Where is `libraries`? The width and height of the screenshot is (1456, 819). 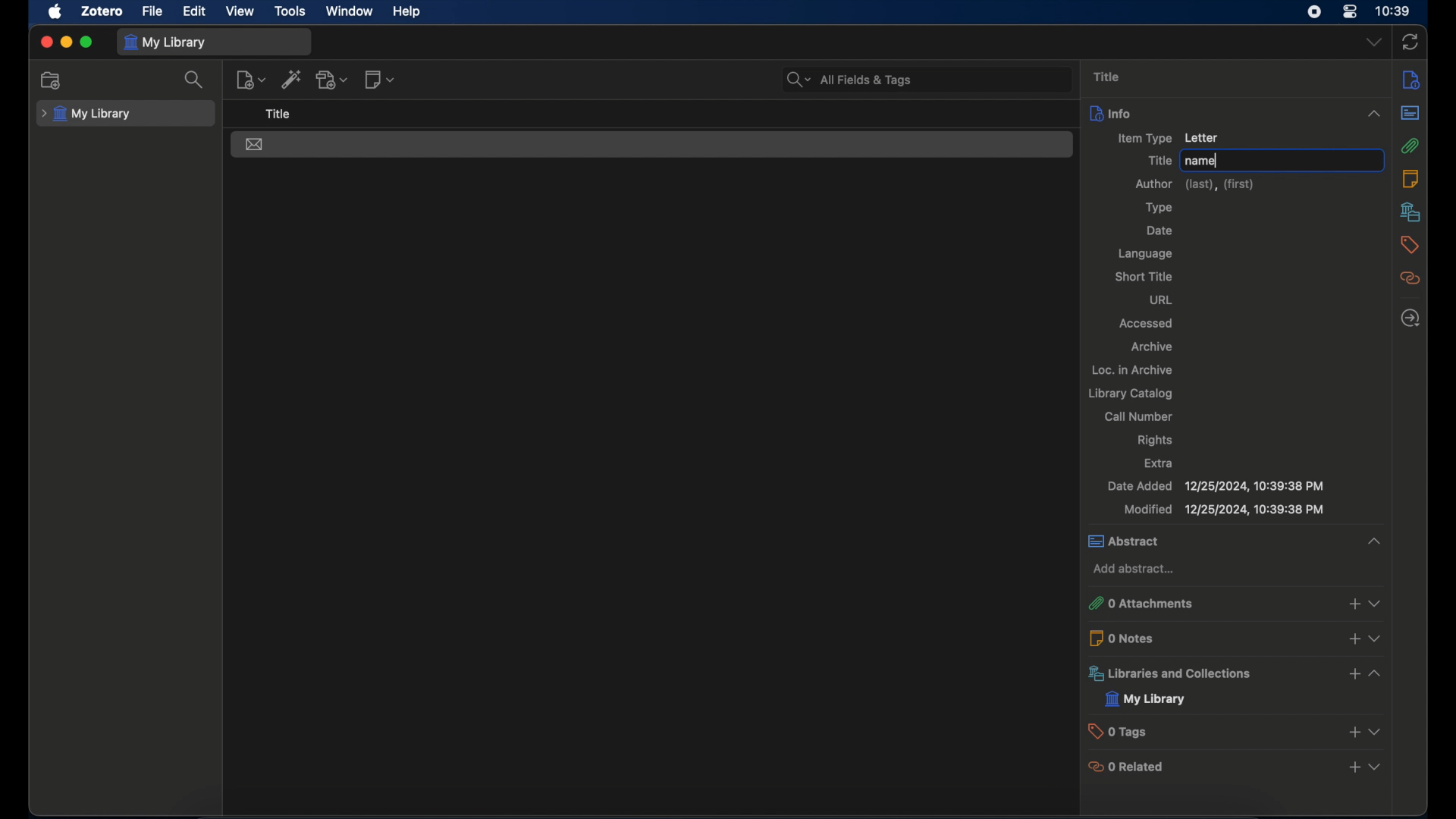 libraries is located at coordinates (1410, 212).